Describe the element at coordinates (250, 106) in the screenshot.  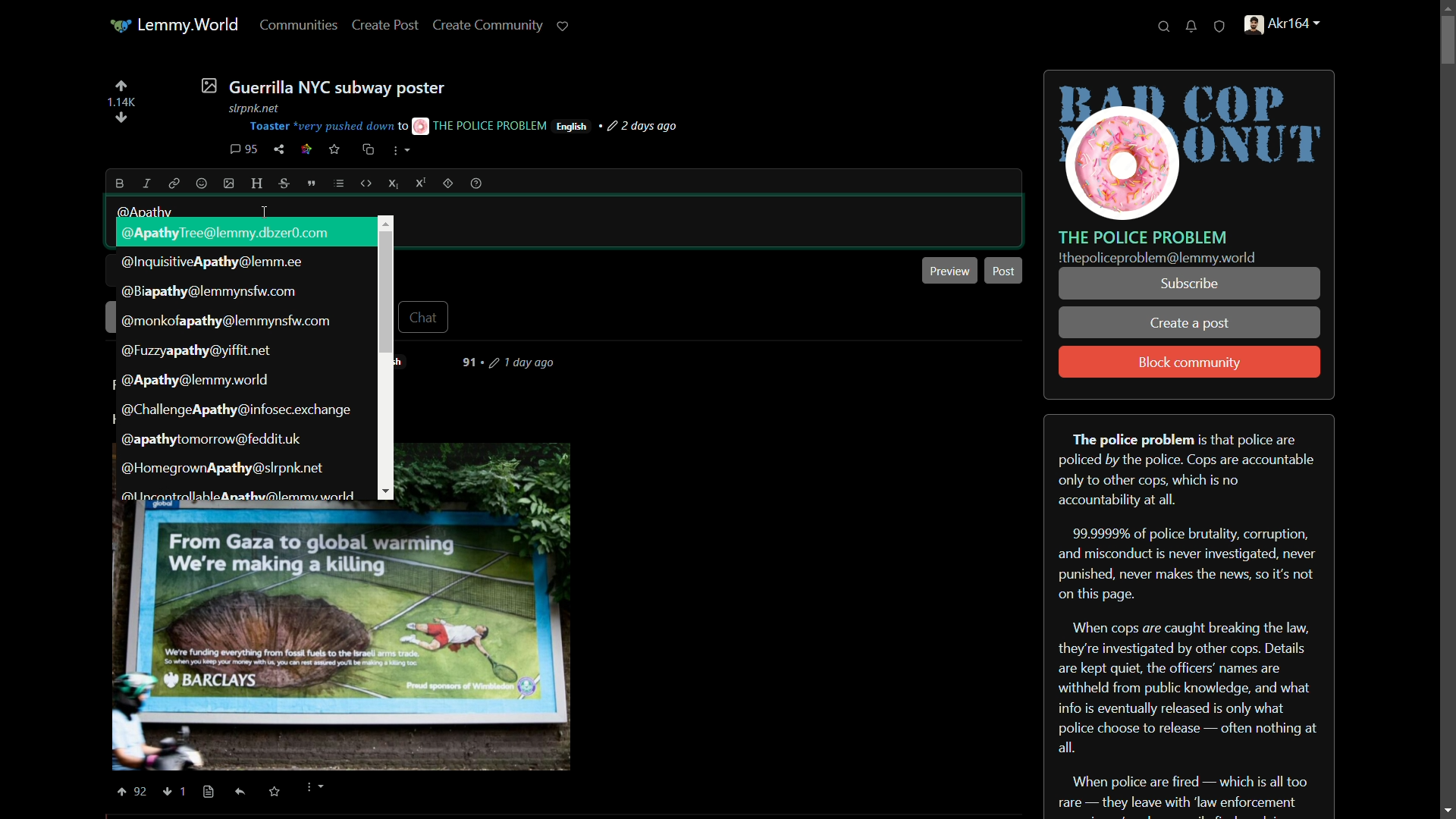
I see `stpnk net` at that location.